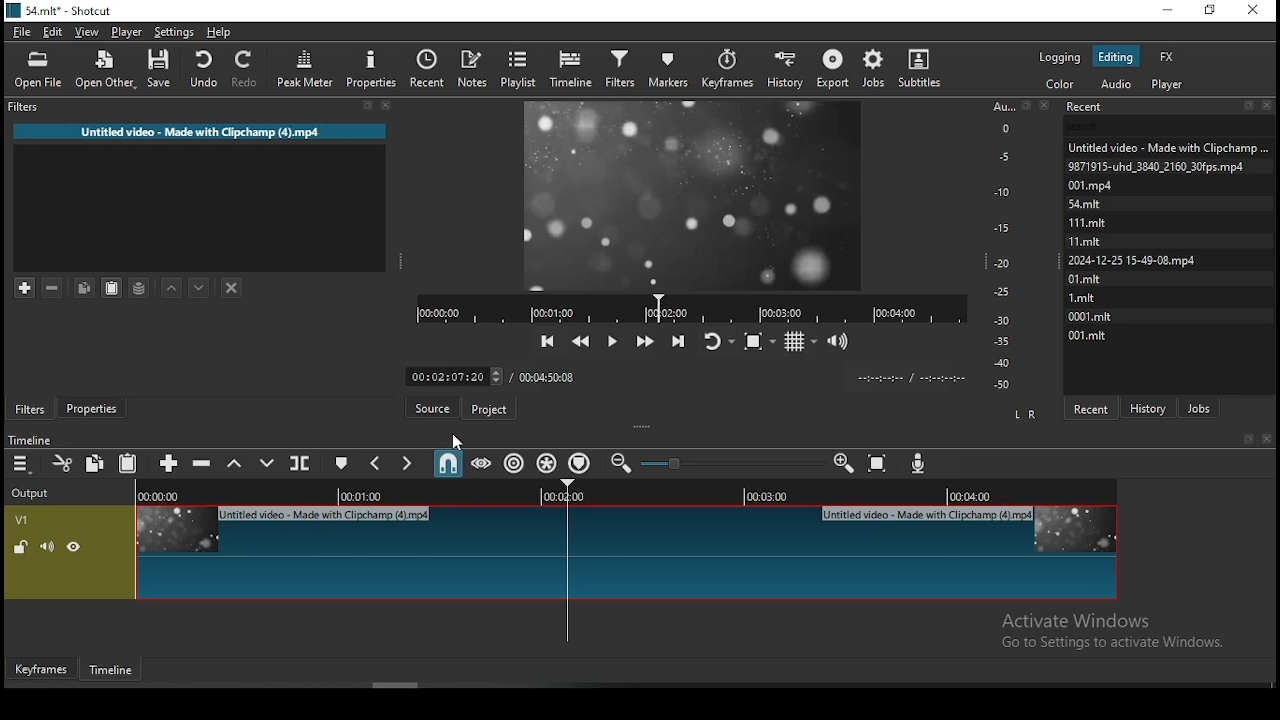 This screenshot has height=720, width=1280. What do you see at coordinates (1168, 107) in the screenshot?
I see `Recent` at bounding box center [1168, 107].